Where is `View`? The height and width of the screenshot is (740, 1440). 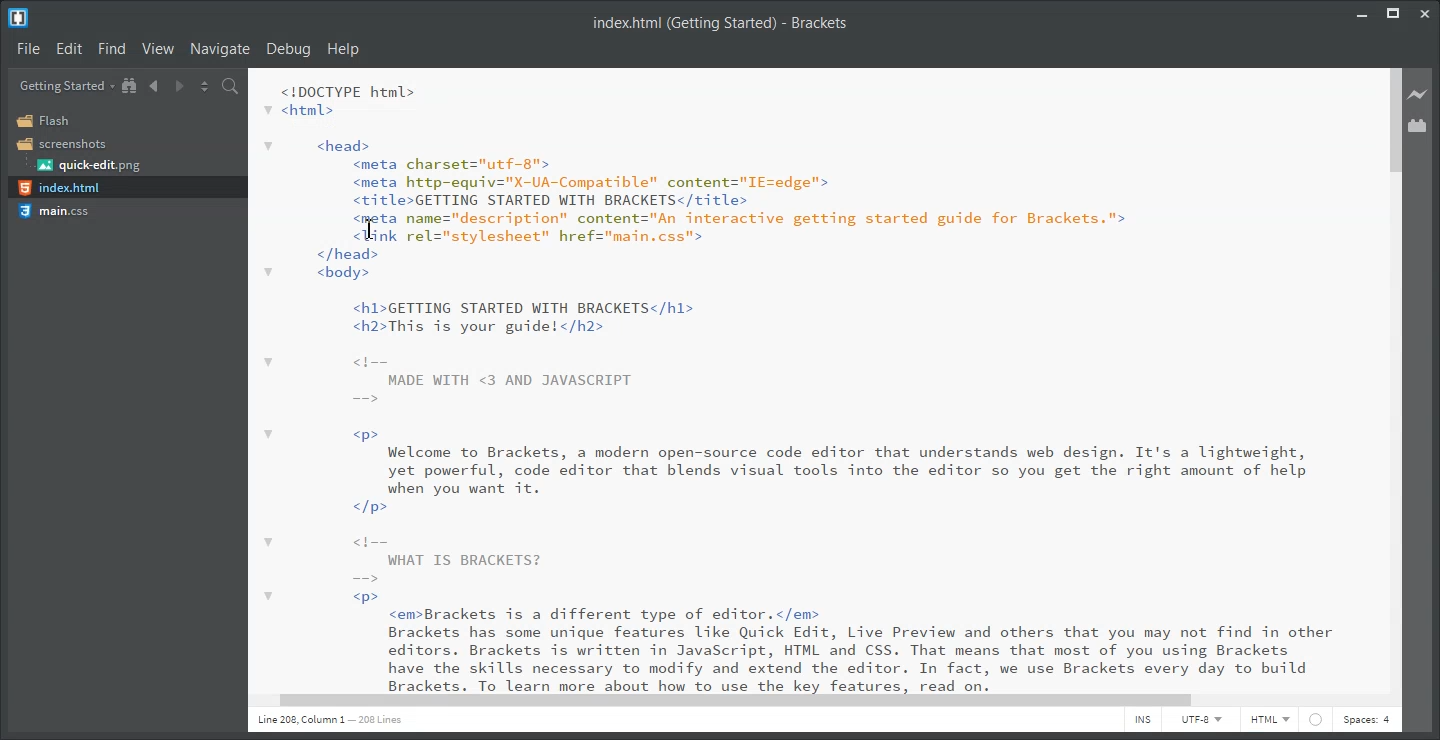 View is located at coordinates (158, 48).